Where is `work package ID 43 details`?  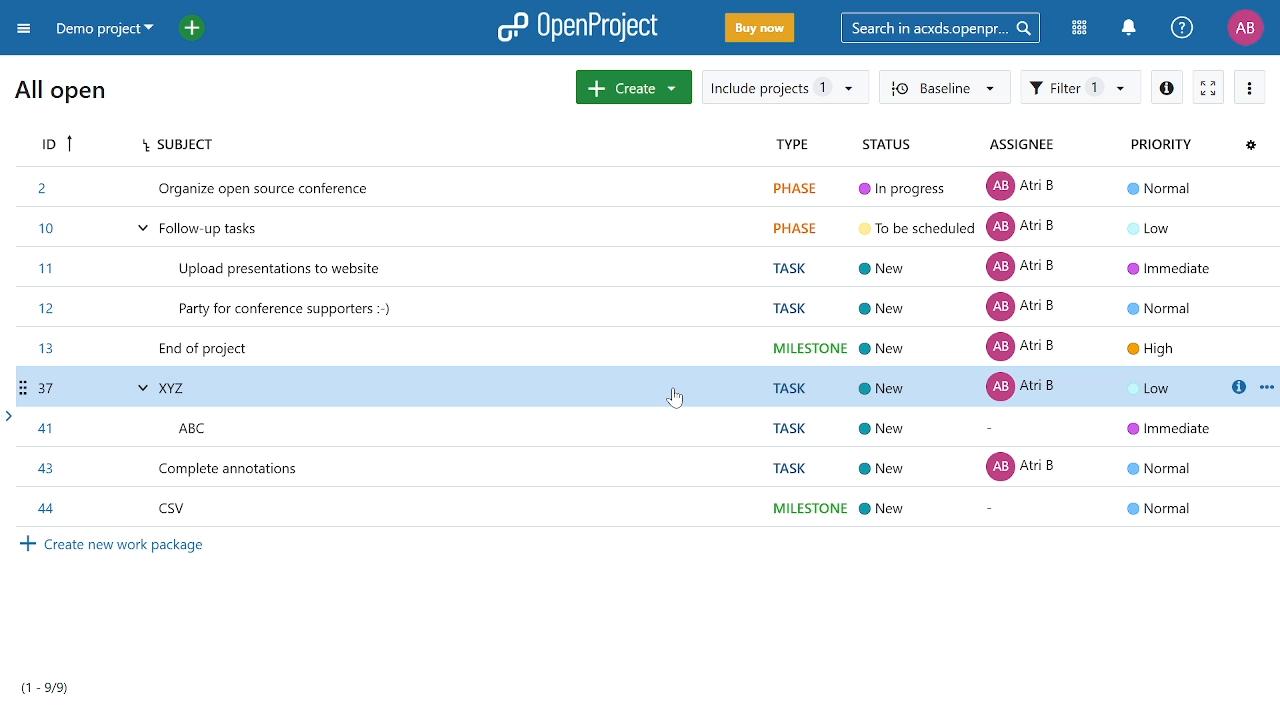 work package ID 43 details is located at coordinates (646, 466).